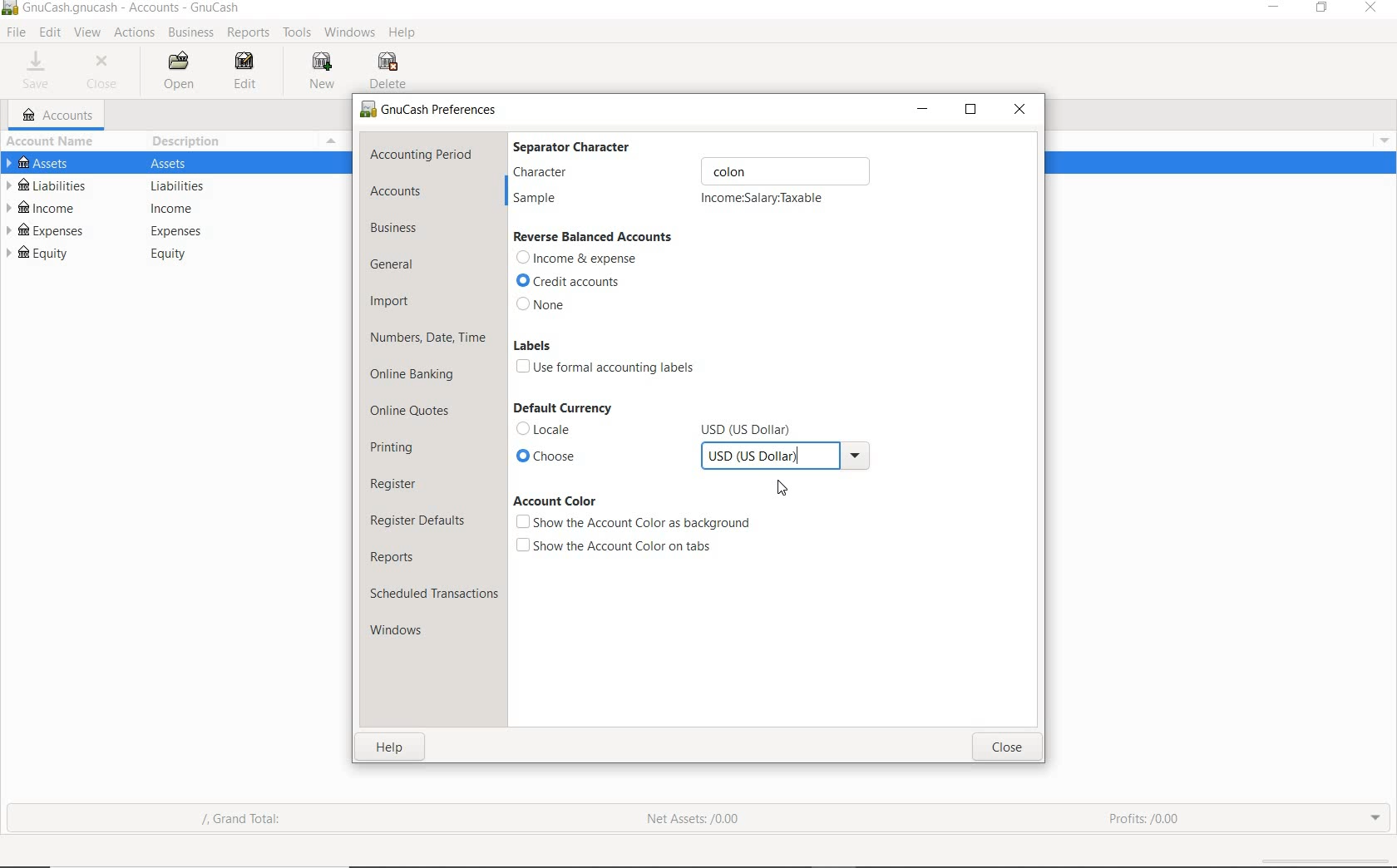 The height and width of the screenshot is (868, 1397). I want to click on general, so click(398, 265).